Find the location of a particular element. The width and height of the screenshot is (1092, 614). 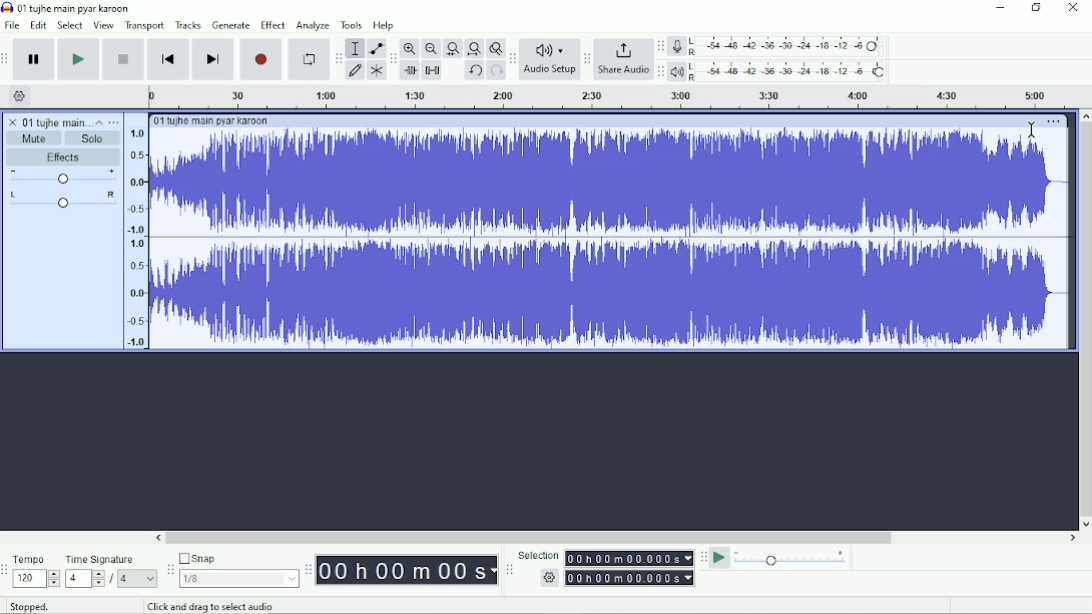

Audio is located at coordinates (612, 240).